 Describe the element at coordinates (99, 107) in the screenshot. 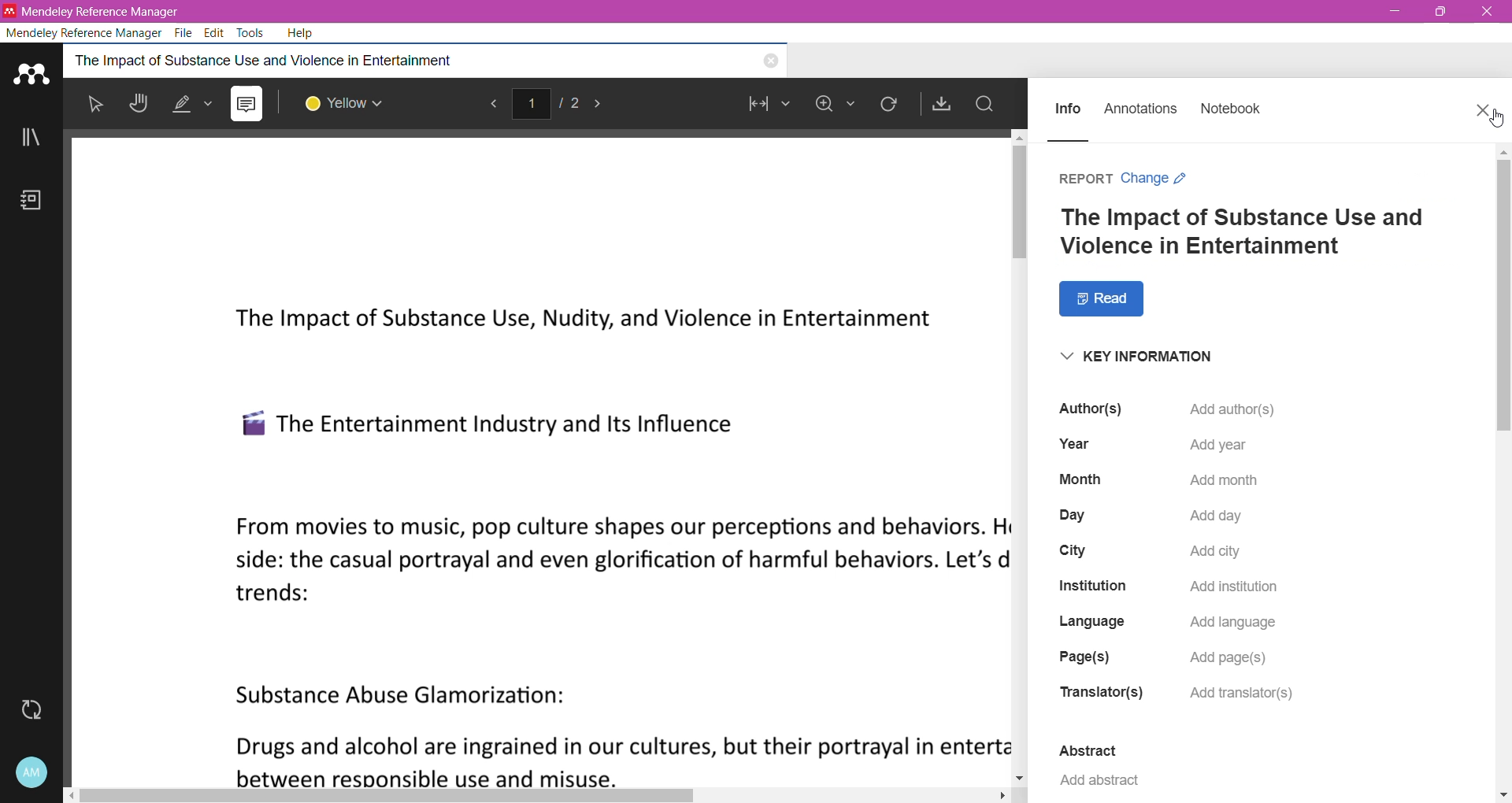

I see `Pointer Mode` at that location.